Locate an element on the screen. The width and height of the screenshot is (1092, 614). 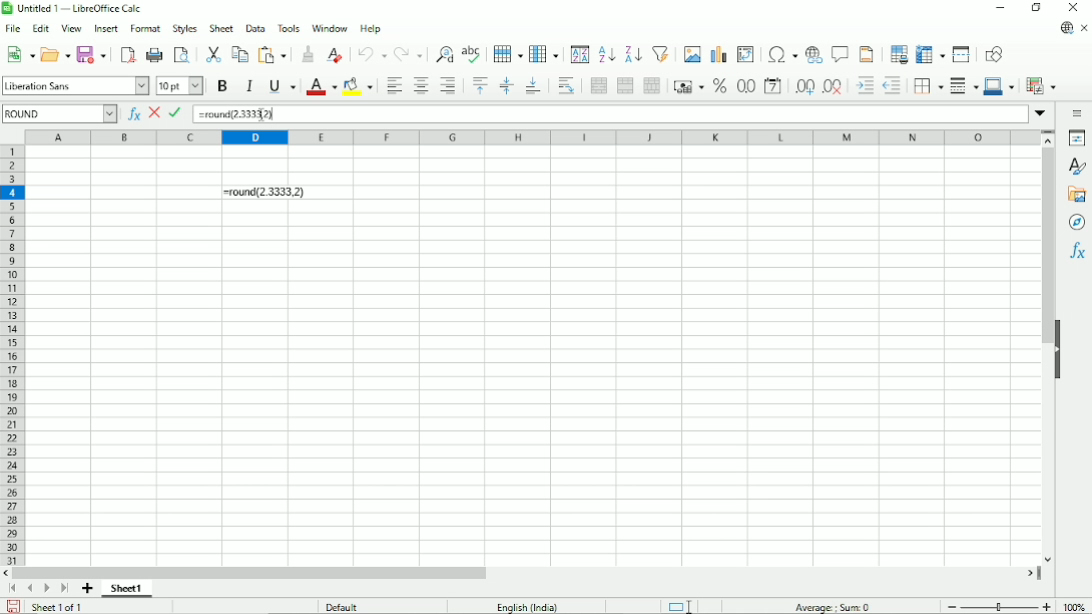
Save is located at coordinates (14, 606).